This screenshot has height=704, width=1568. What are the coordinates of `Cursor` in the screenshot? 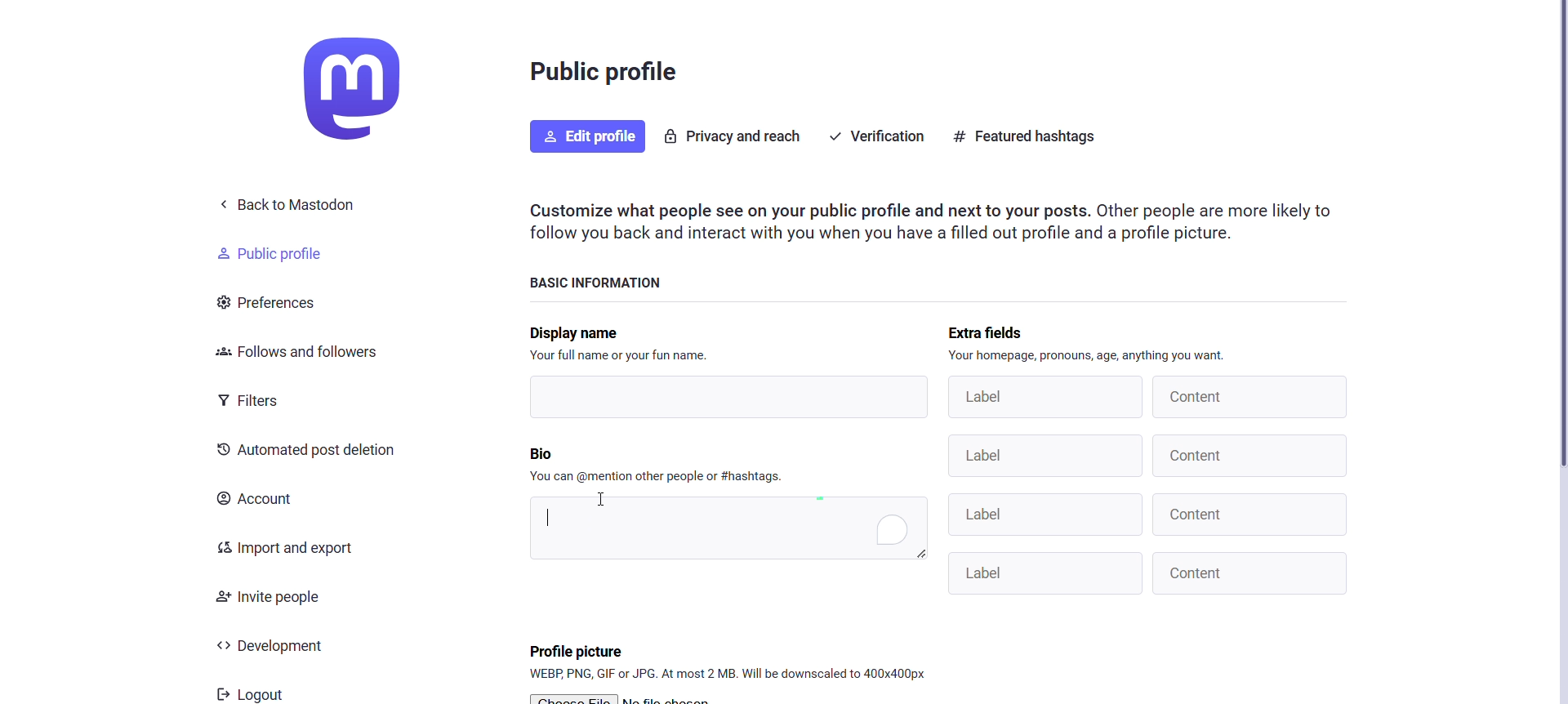 It's located at (603, 498).